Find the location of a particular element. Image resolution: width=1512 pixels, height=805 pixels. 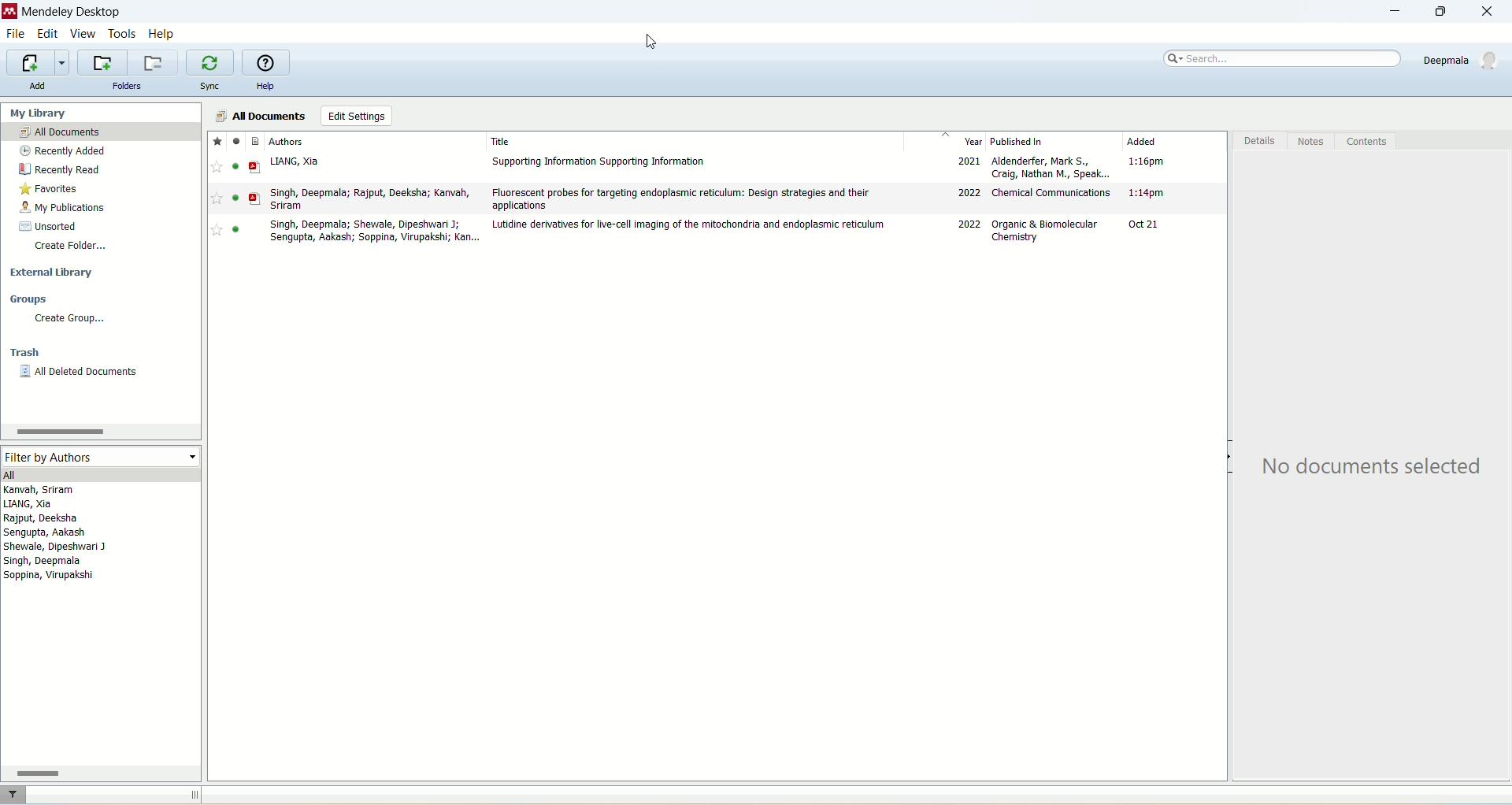

Favourite is located at coordinates (212, 228).